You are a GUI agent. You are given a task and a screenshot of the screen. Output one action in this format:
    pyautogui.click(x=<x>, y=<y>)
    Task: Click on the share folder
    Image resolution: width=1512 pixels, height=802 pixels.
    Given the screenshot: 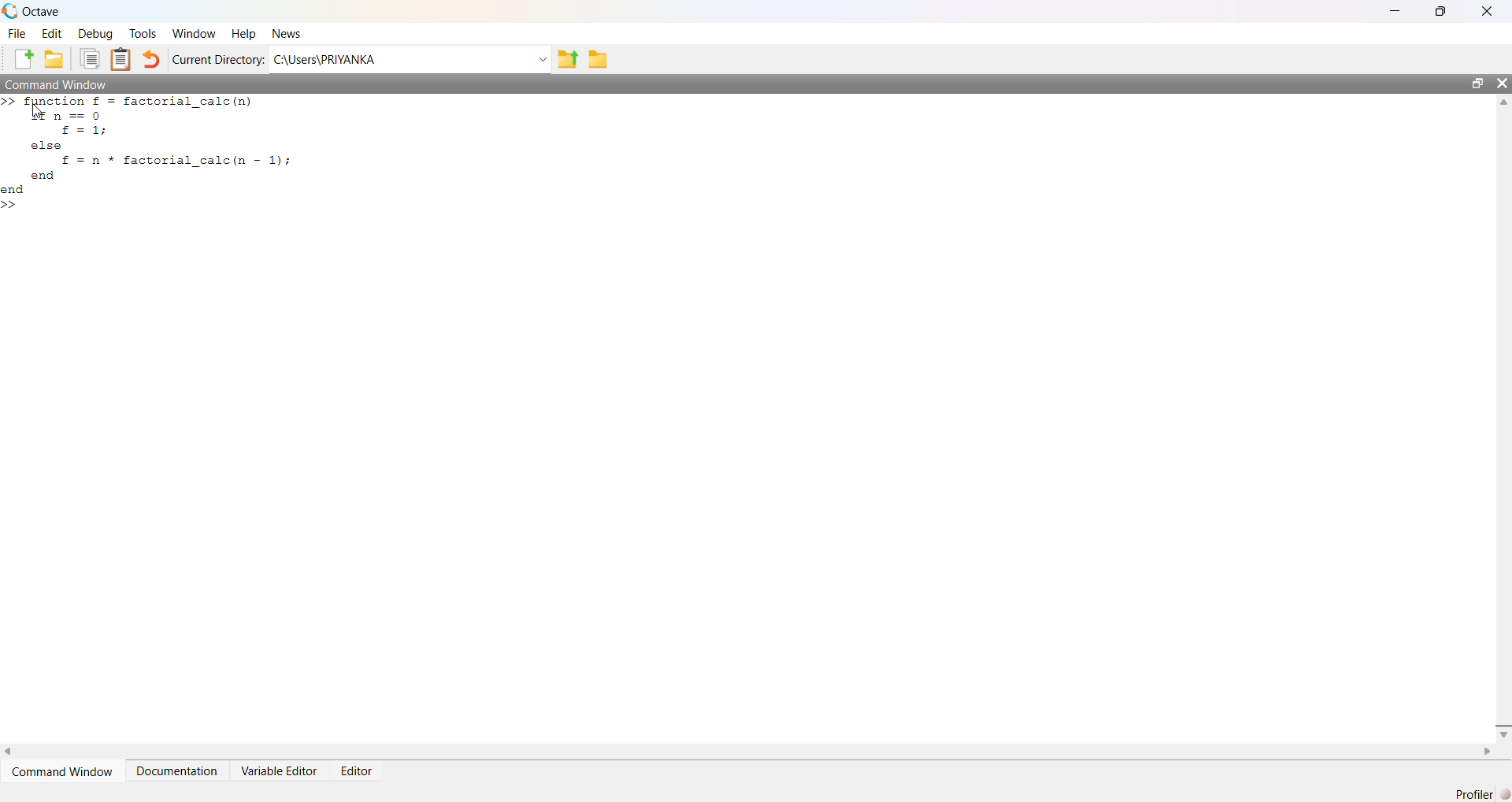 What is the action you would take?
    pyautogui.click(x=567, y=60)
    